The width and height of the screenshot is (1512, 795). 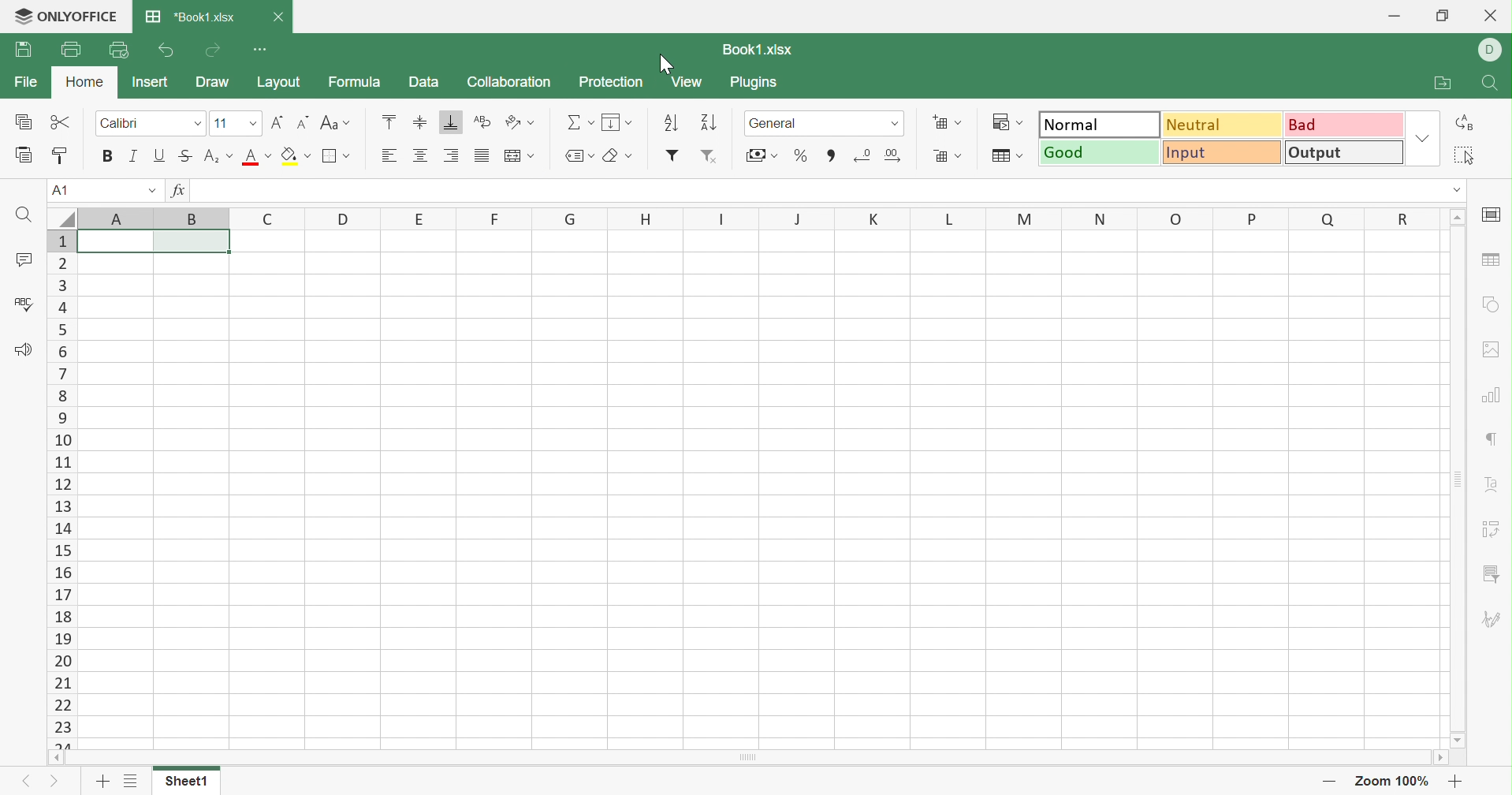 I want to click on Comments, so click(x=26, y=260).